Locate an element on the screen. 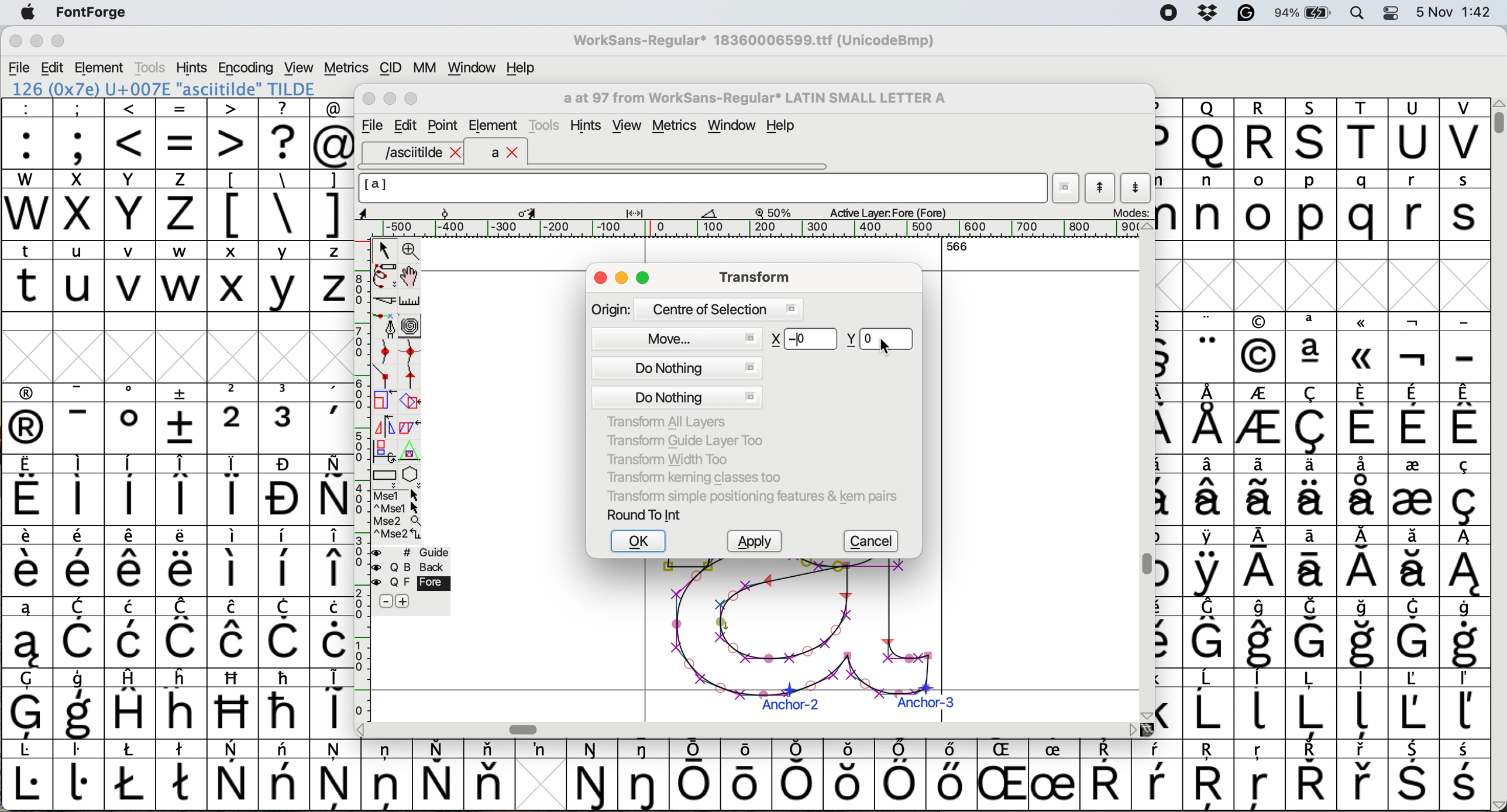 This screenshot has height=812, width=1507. symbol is located at coordinates (130, 490).